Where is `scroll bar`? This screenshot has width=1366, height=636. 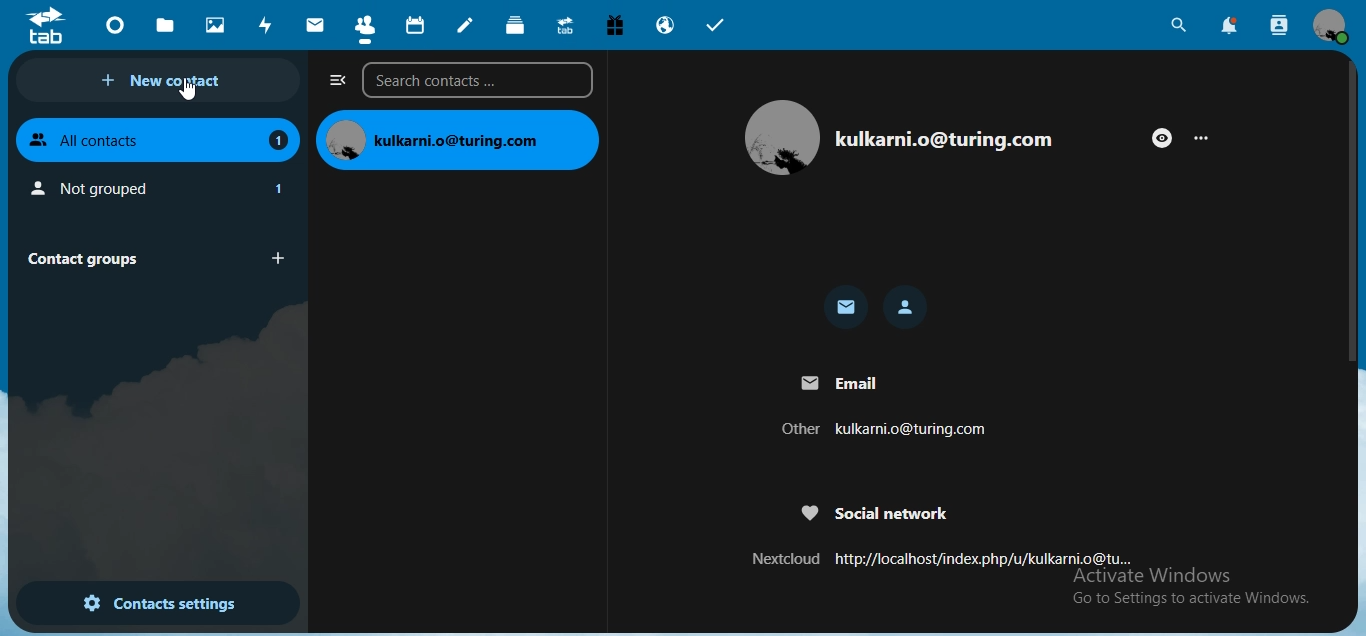
scroll bar is located at coordinates (1353, 214).